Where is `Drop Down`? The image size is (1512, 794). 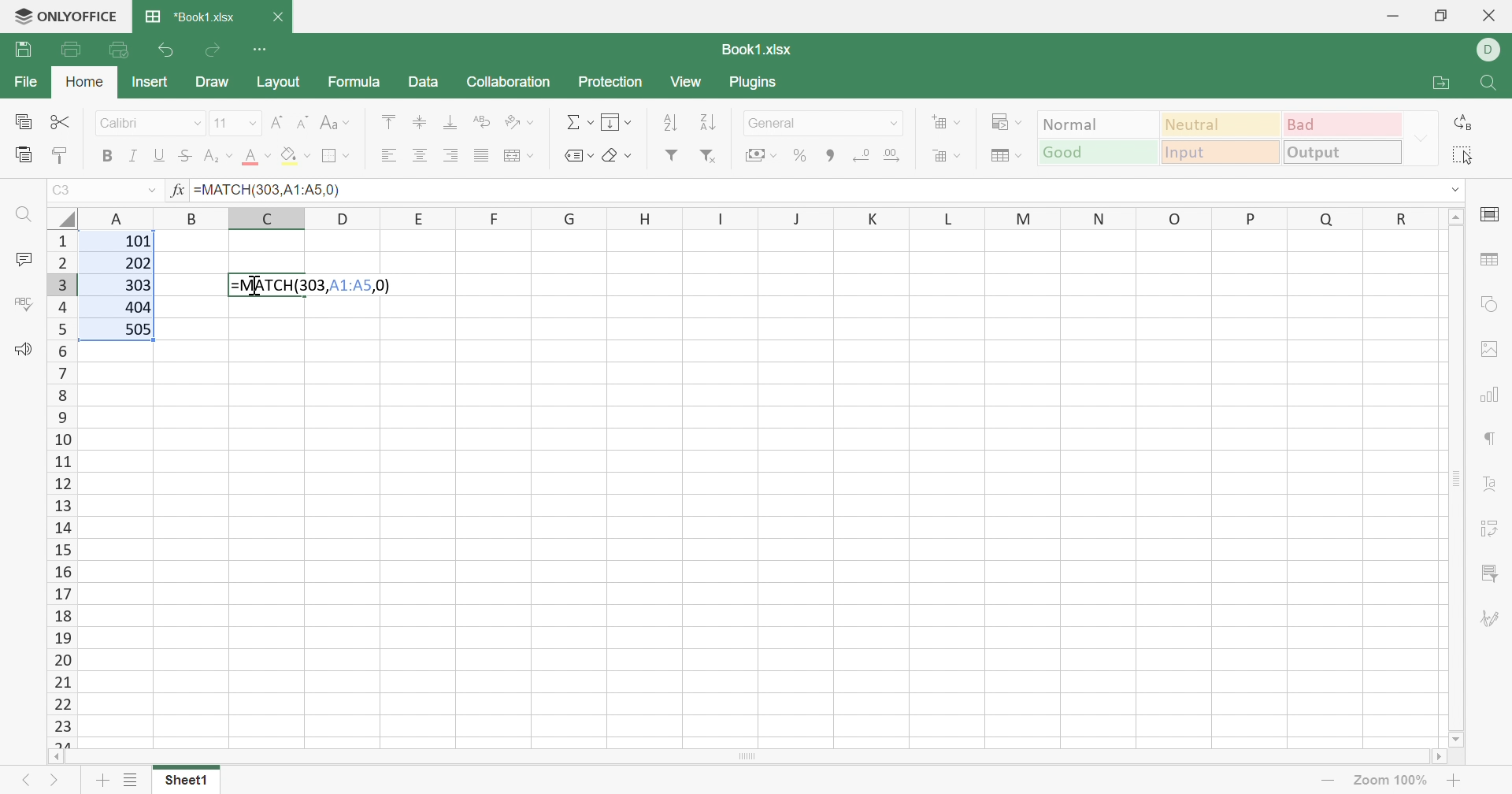 Drop Down is located at coordinates (200, 124).